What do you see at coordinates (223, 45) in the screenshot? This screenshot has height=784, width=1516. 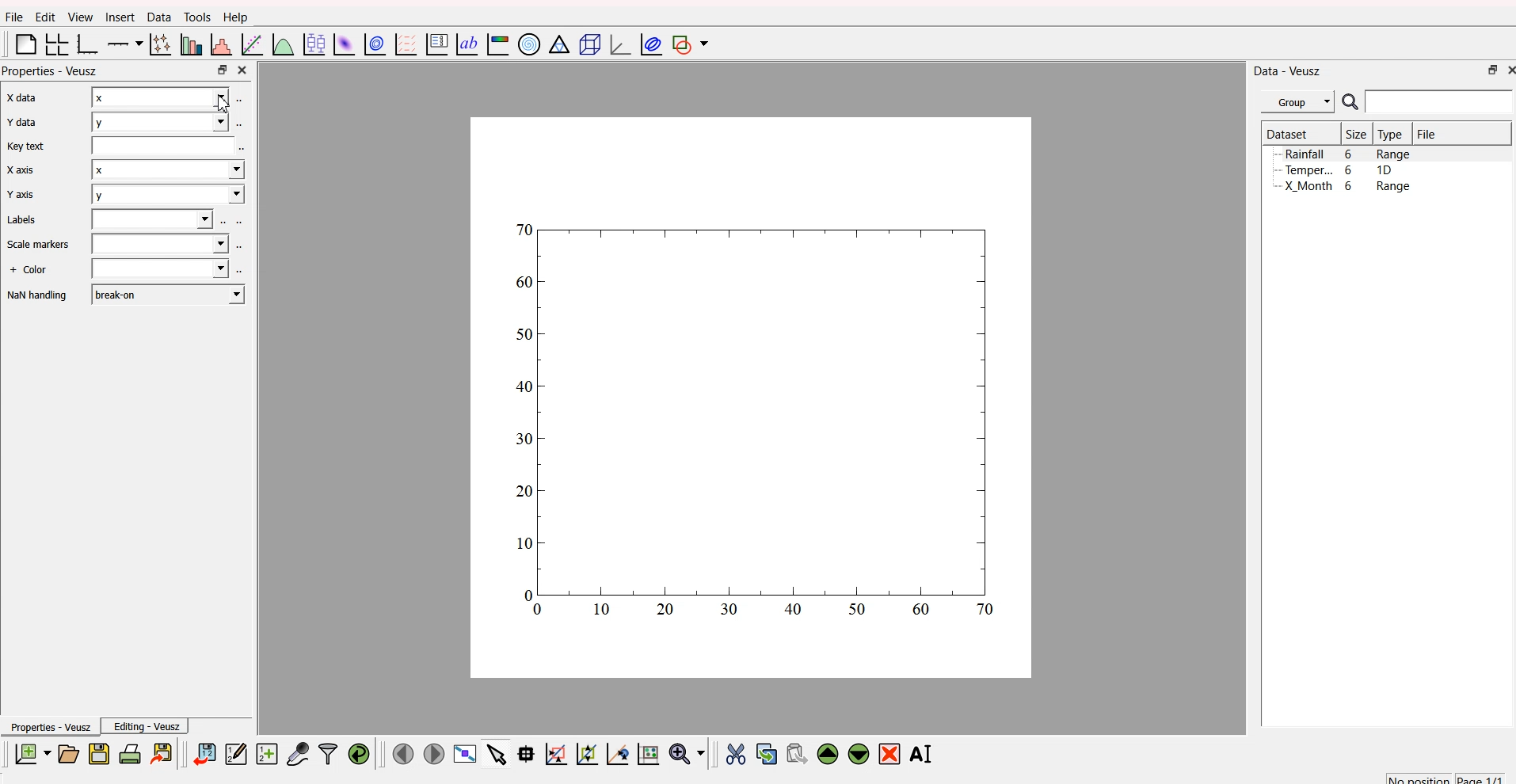 I see `histogram of dataset` at bounding box center [223, 45].